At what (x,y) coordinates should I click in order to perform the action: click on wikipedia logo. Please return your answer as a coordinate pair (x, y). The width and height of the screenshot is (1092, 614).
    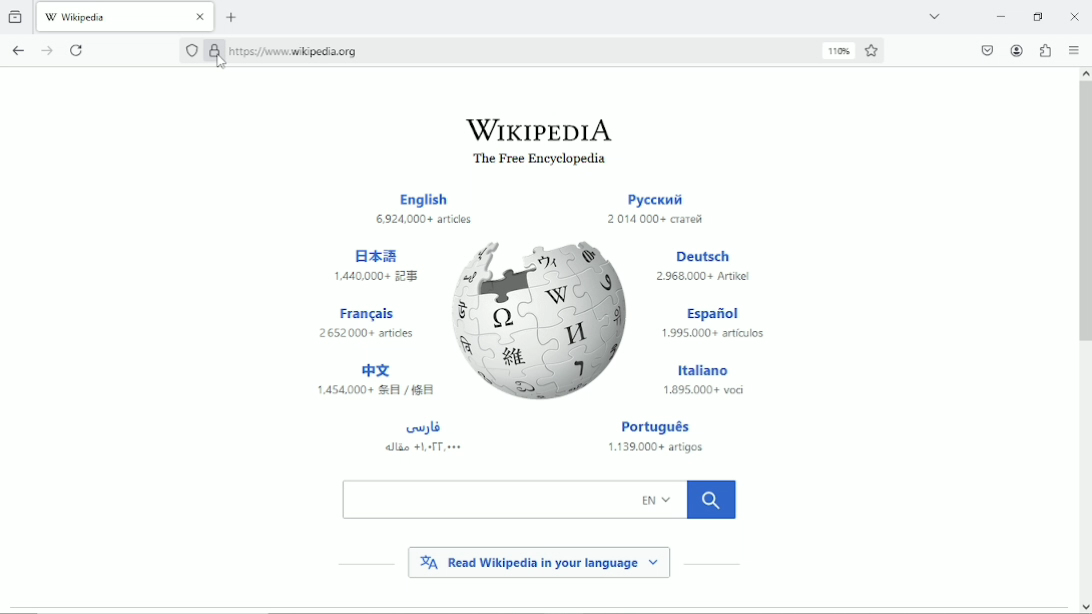
    Looking at the image, I should click on (543, 319).